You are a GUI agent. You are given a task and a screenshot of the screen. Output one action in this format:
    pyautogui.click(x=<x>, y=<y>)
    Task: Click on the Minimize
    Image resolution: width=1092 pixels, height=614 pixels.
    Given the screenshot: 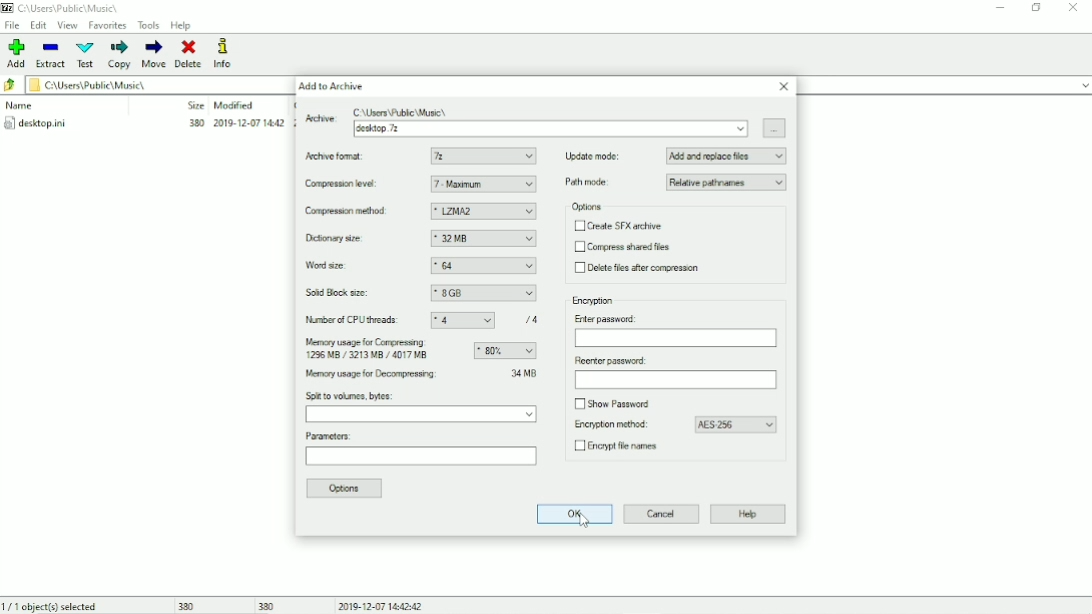 What is the action you would take?
    pyautogui.click(x=1001, y=8)
    